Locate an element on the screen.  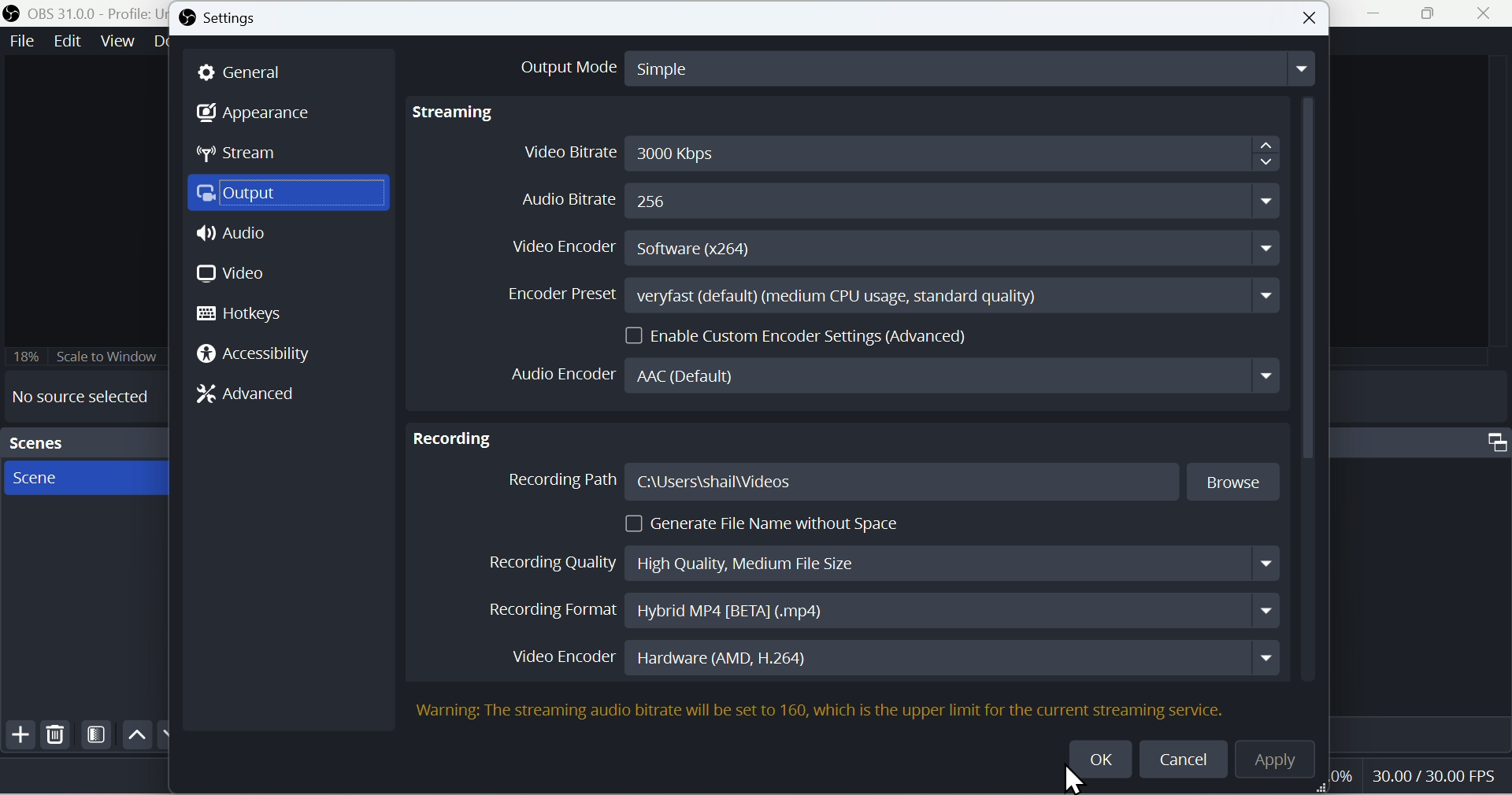
Audio is located at coordinates (235, 238).